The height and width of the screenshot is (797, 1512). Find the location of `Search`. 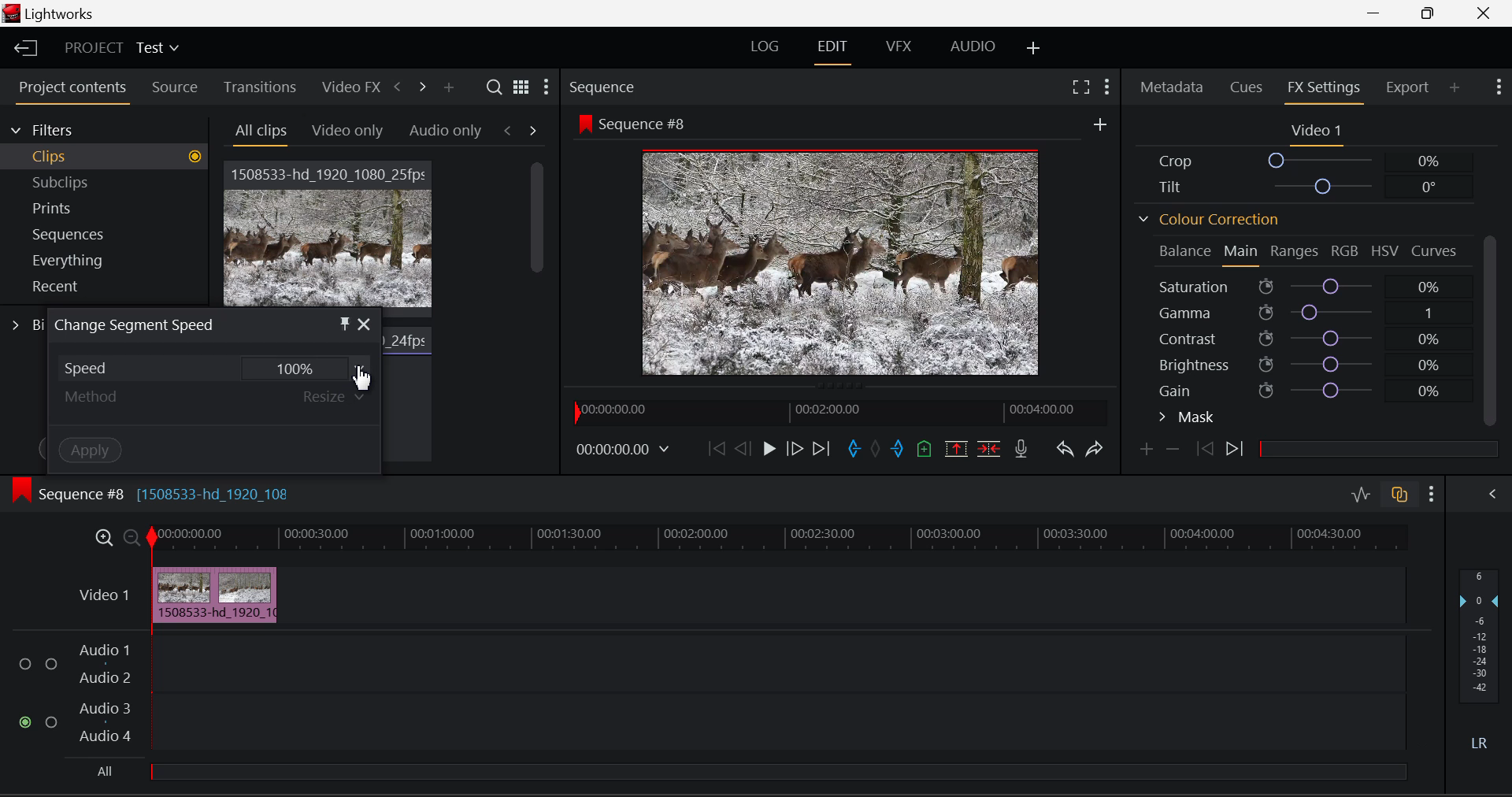

Search is located at coordinates (492, 87).